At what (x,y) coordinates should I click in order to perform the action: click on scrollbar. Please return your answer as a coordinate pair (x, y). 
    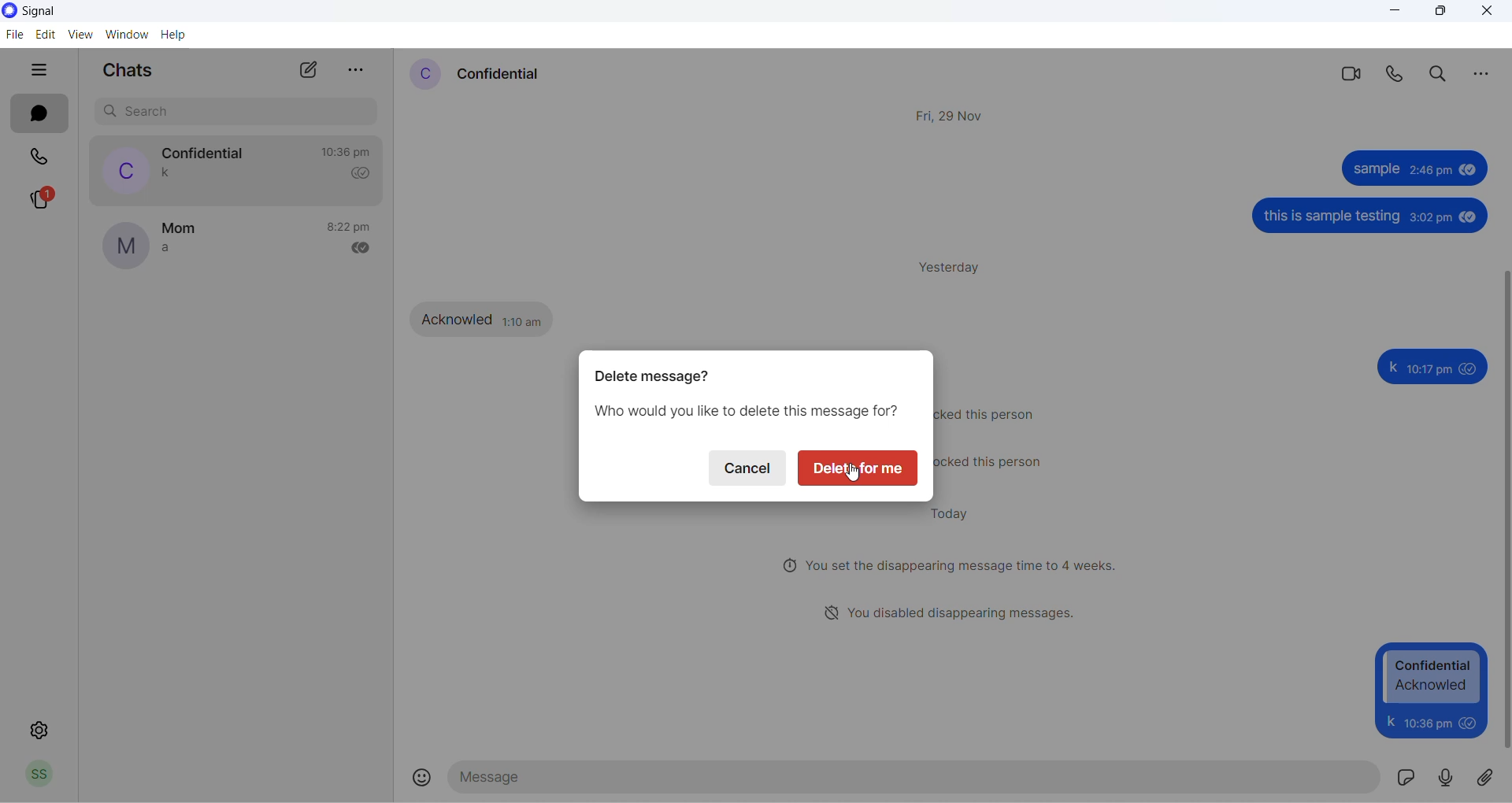
    Looking at the image, I should click on (1503, 509).